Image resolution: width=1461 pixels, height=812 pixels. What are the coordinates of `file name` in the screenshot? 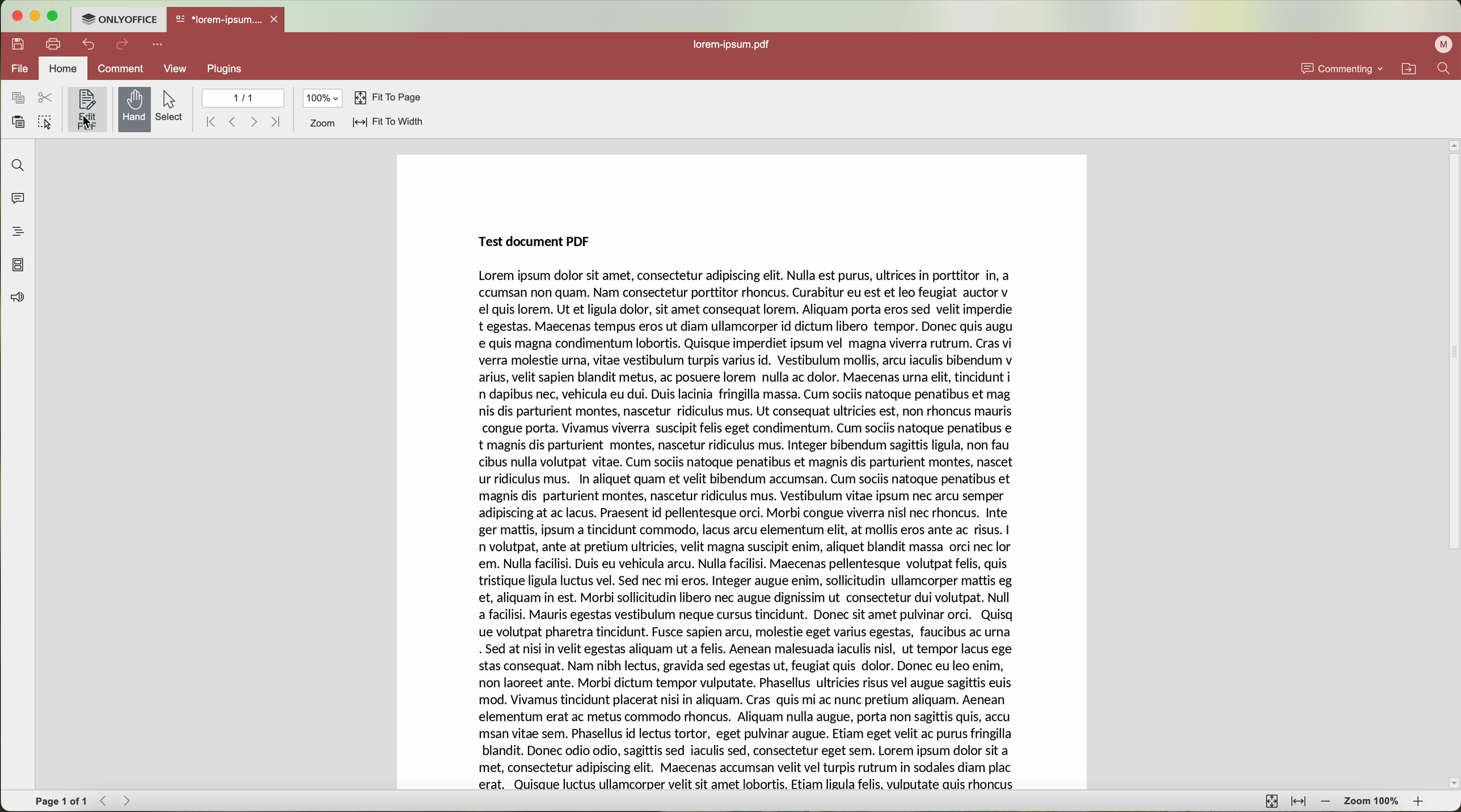 It's located at (734, 45).